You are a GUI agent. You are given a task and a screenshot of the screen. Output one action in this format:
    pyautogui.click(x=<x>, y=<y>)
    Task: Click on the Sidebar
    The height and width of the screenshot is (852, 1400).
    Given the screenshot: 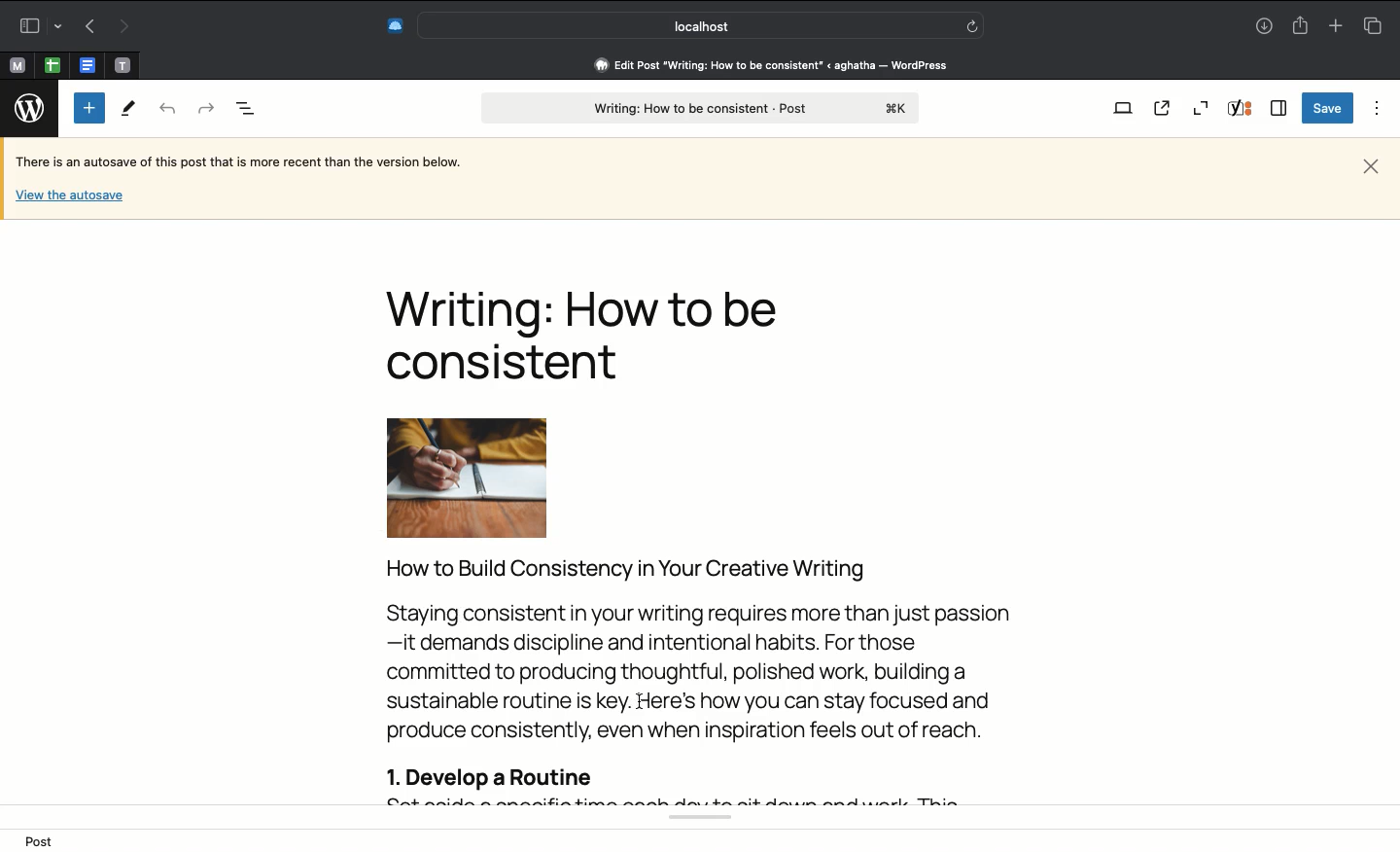 What is the action you would take?
    pyautogui.click(x=38, y=23)
    